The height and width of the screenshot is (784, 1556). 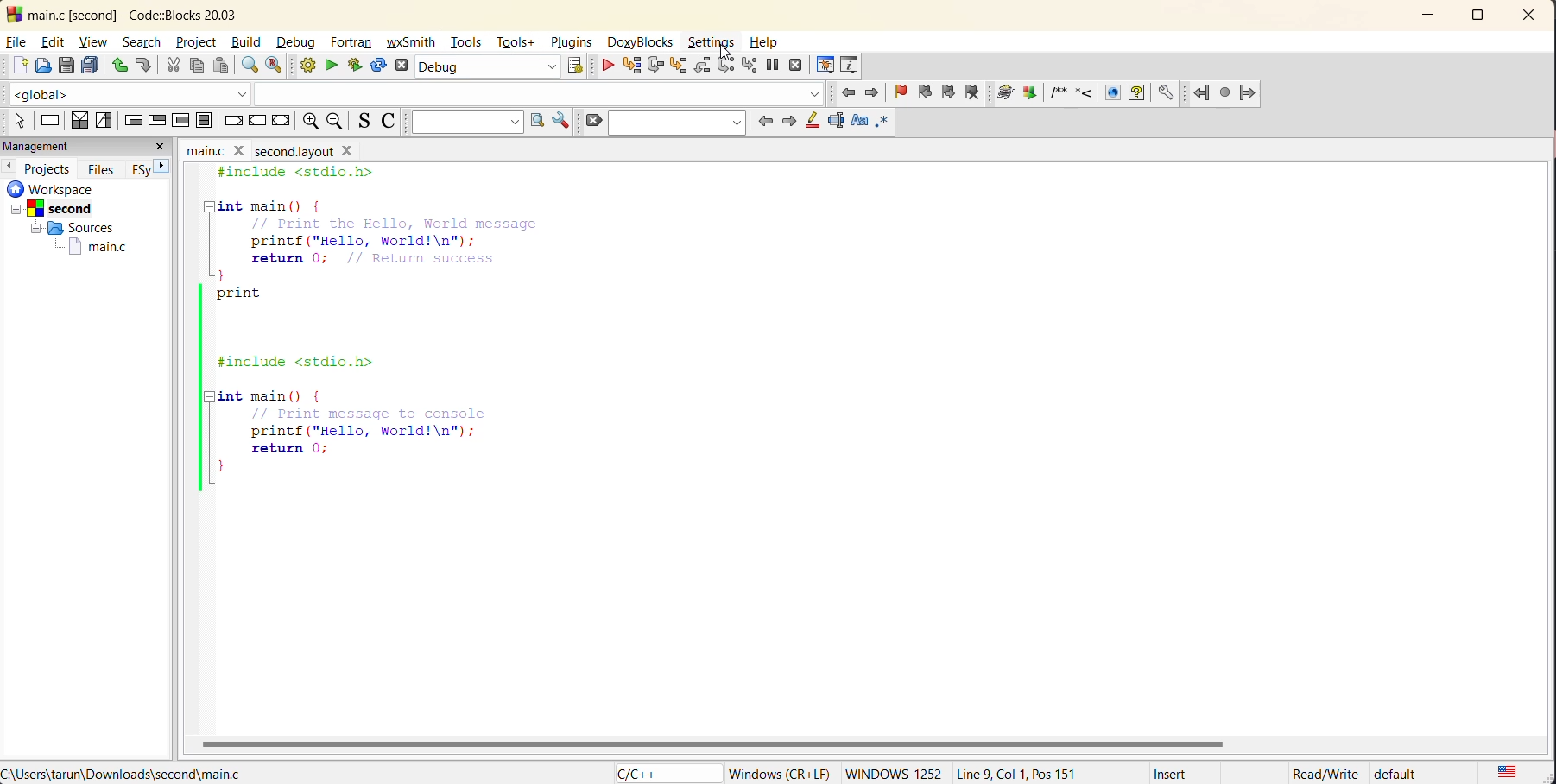 I want to click on doxyblocks reference, so click(x=1090, y=95).